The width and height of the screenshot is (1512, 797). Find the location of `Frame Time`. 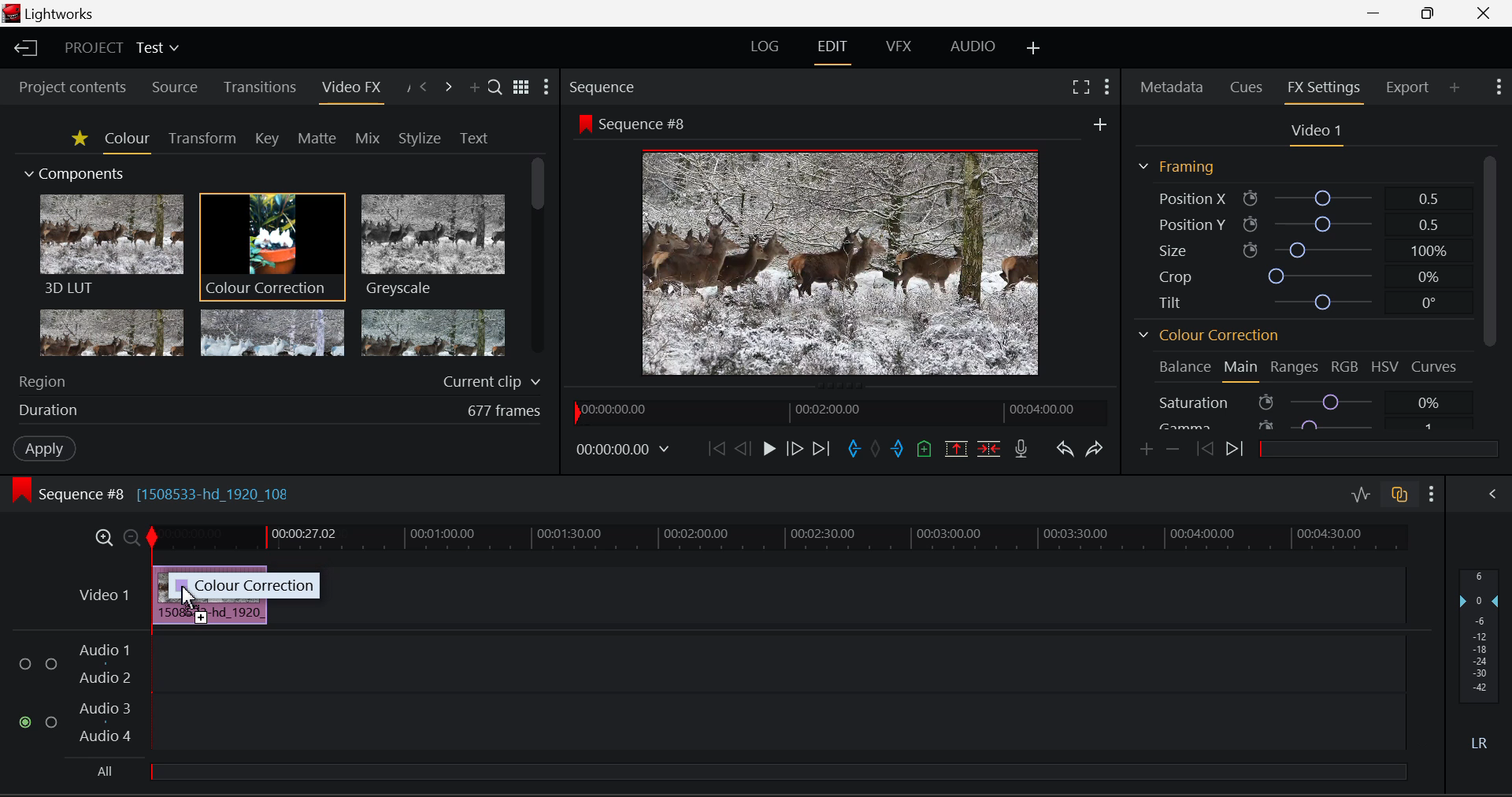

Frame Time is located at coordinates (623, 451).